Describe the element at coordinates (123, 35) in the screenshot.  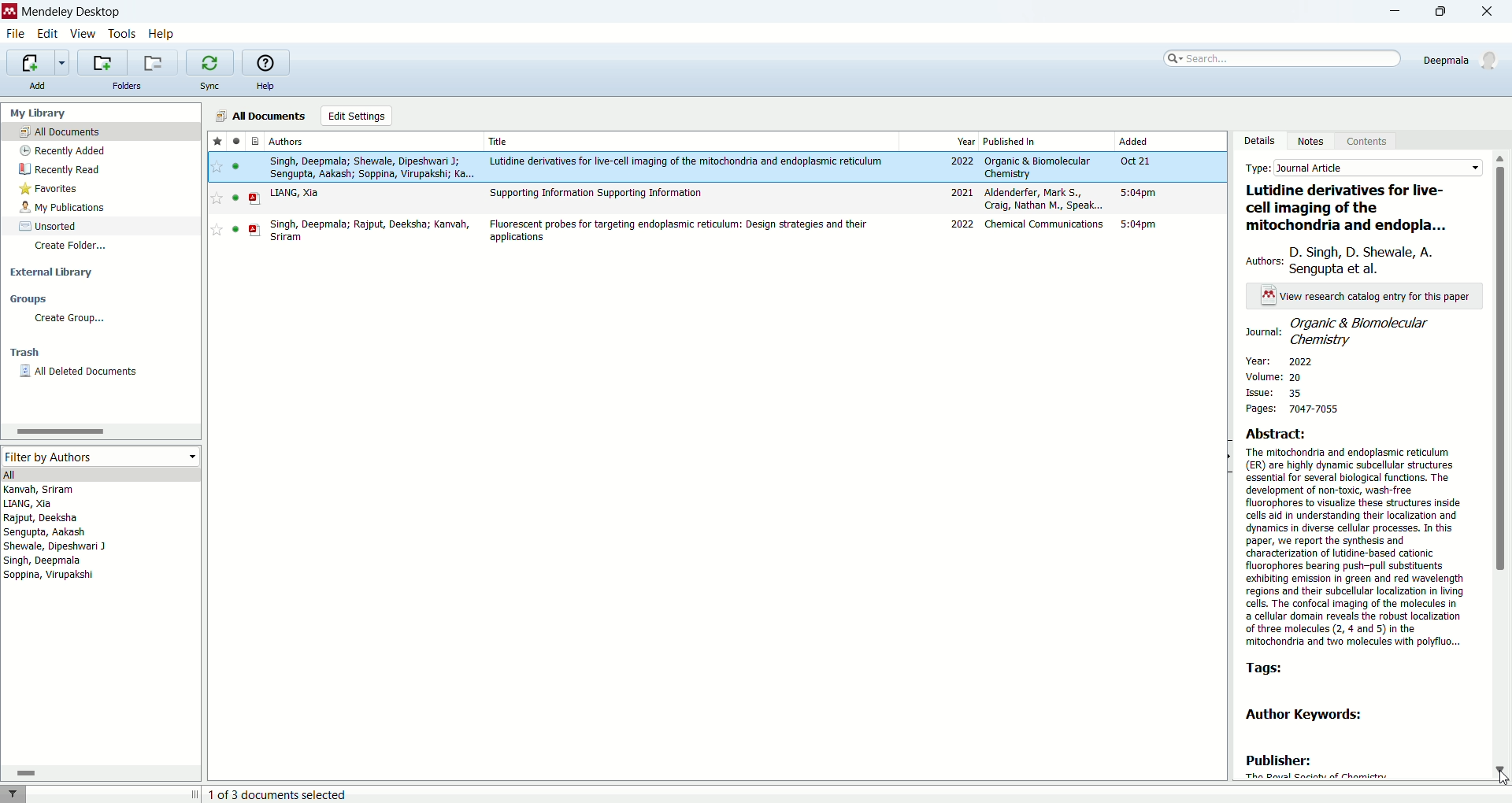
I see `tools` at that location.